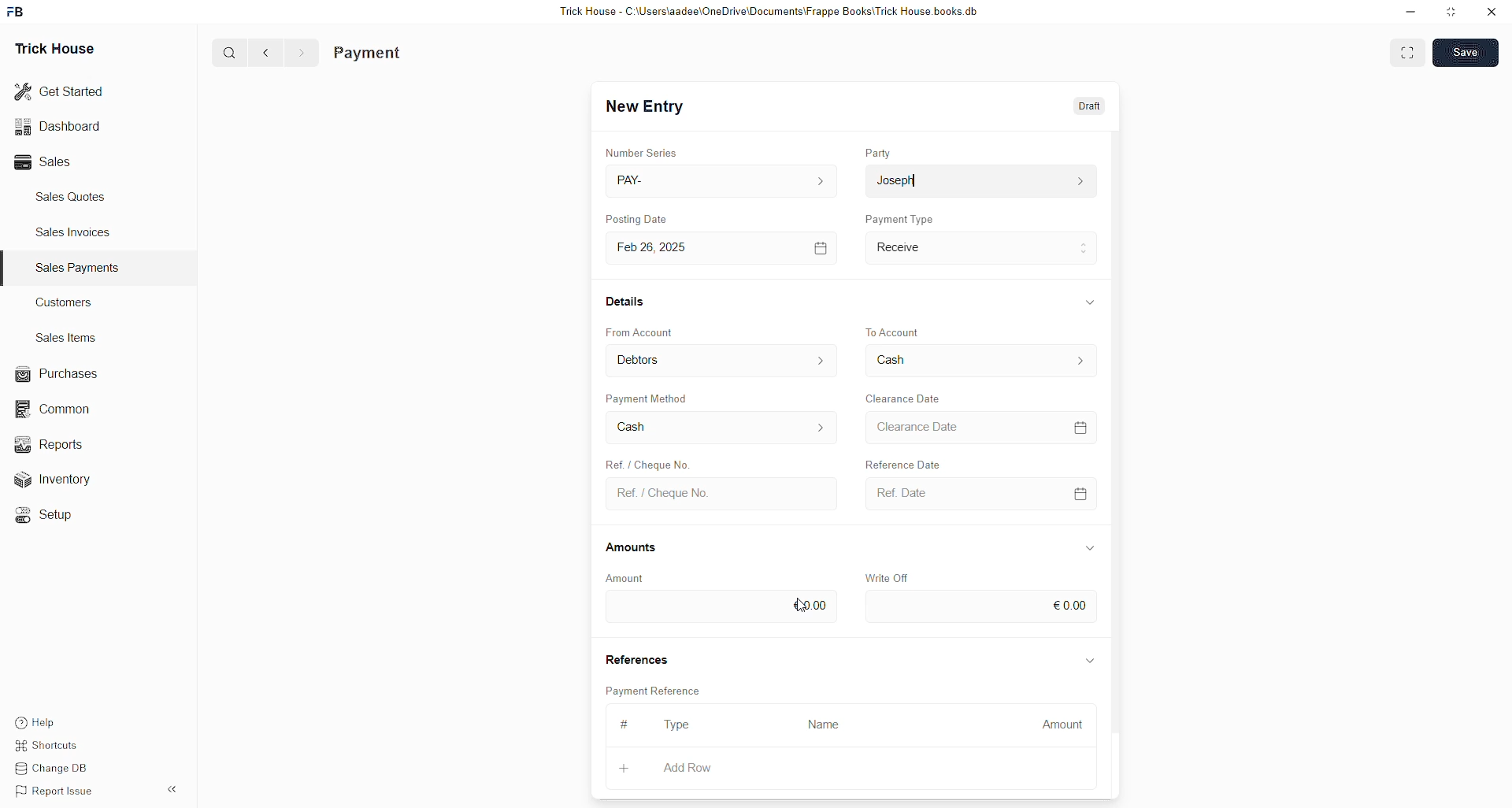 The height and width of the screenshot is (808, 1512). I want to click on Help, so click(38, 718).